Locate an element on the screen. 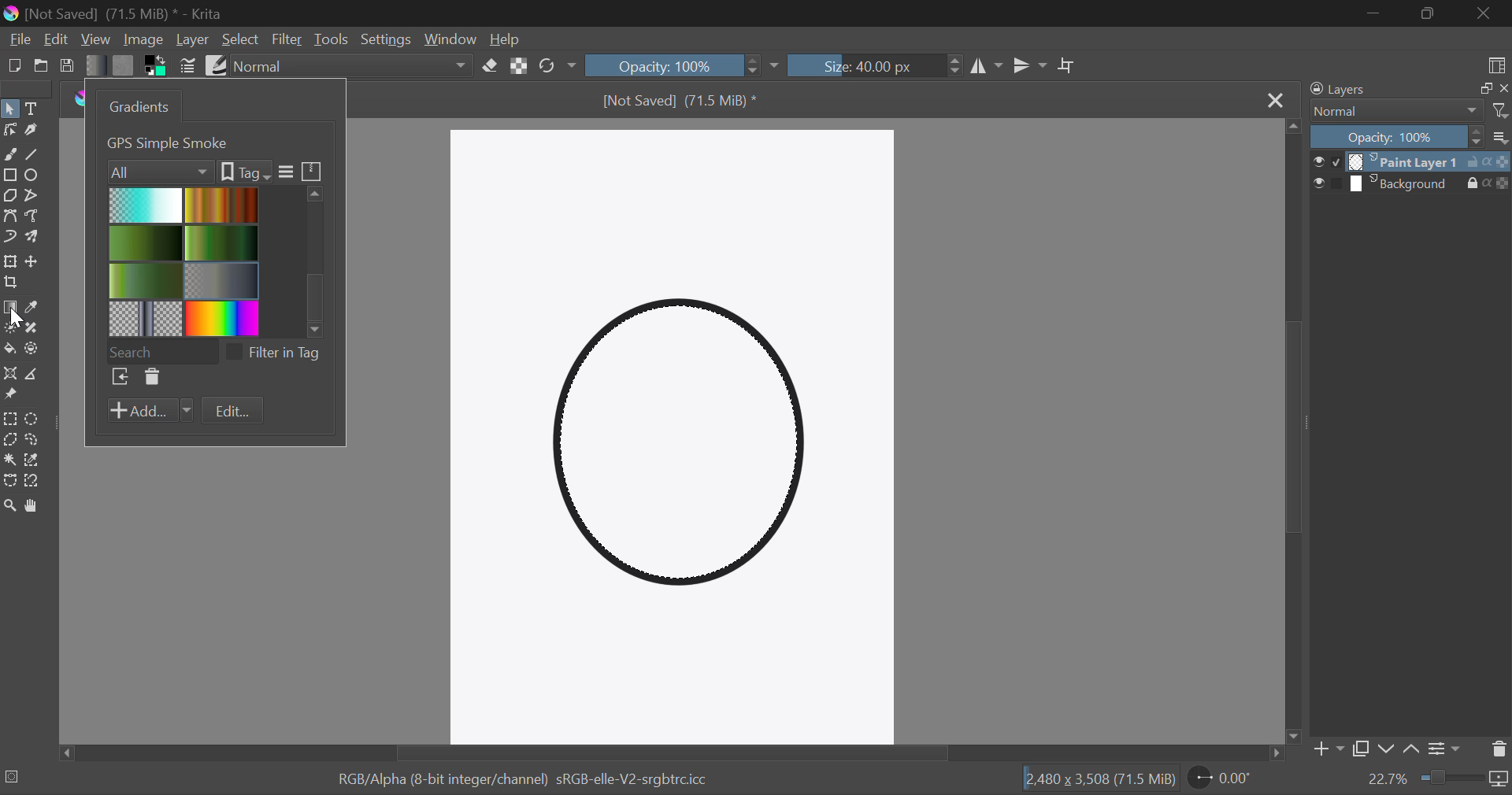  Delete is located at coordinates (153, 378).